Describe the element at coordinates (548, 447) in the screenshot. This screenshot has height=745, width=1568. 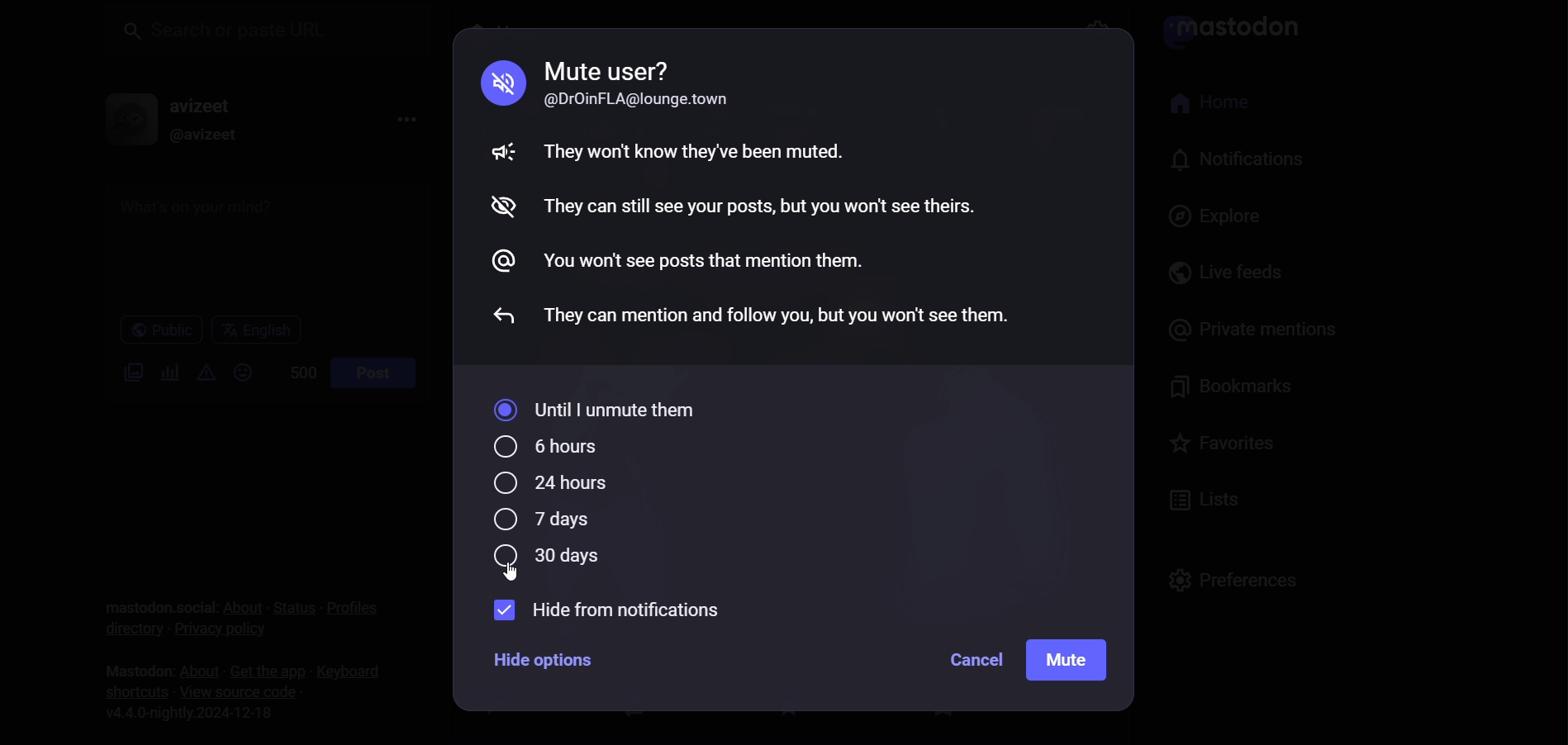
I see `6 hours` at that location.